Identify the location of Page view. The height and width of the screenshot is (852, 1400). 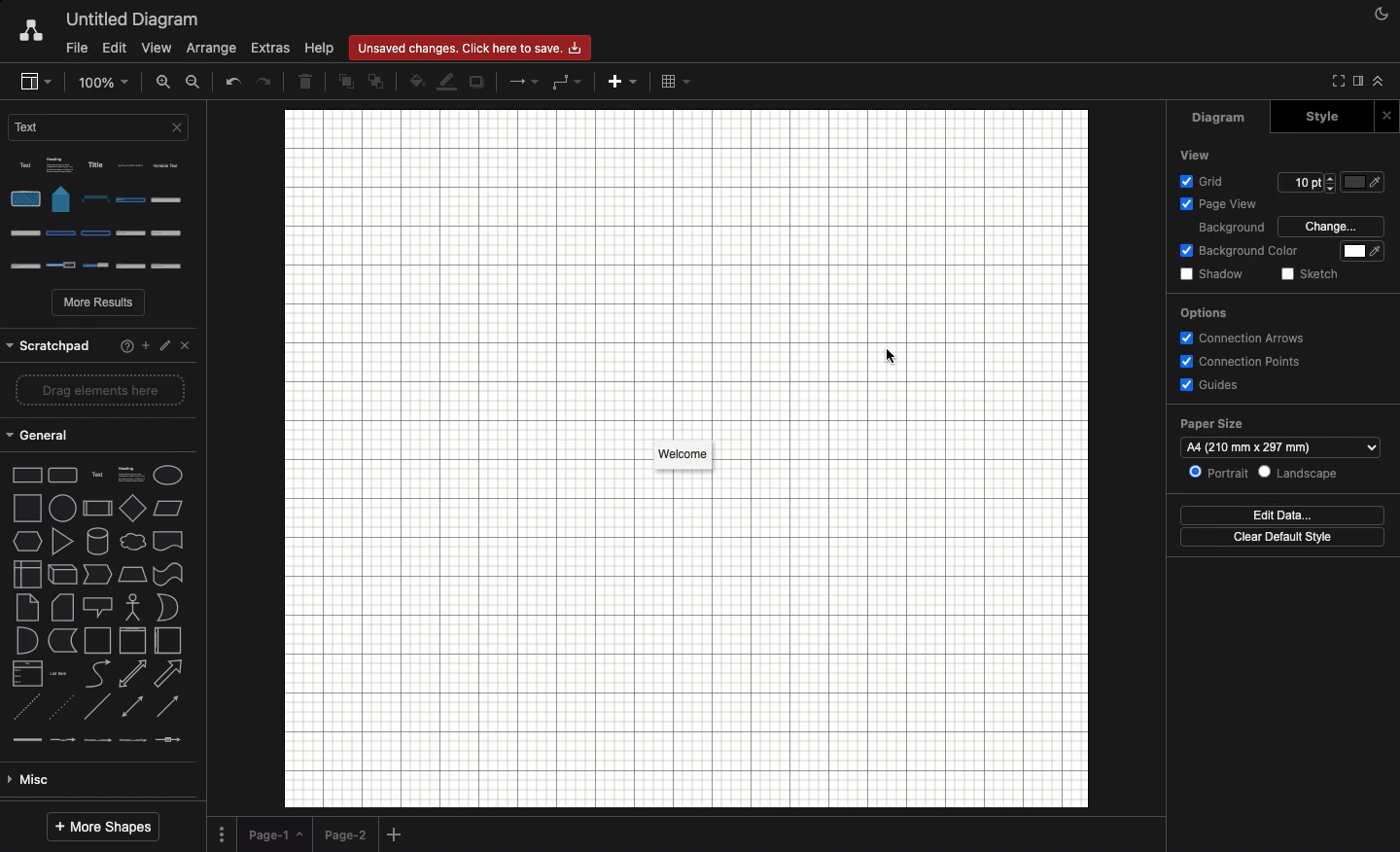
(1269, 204).